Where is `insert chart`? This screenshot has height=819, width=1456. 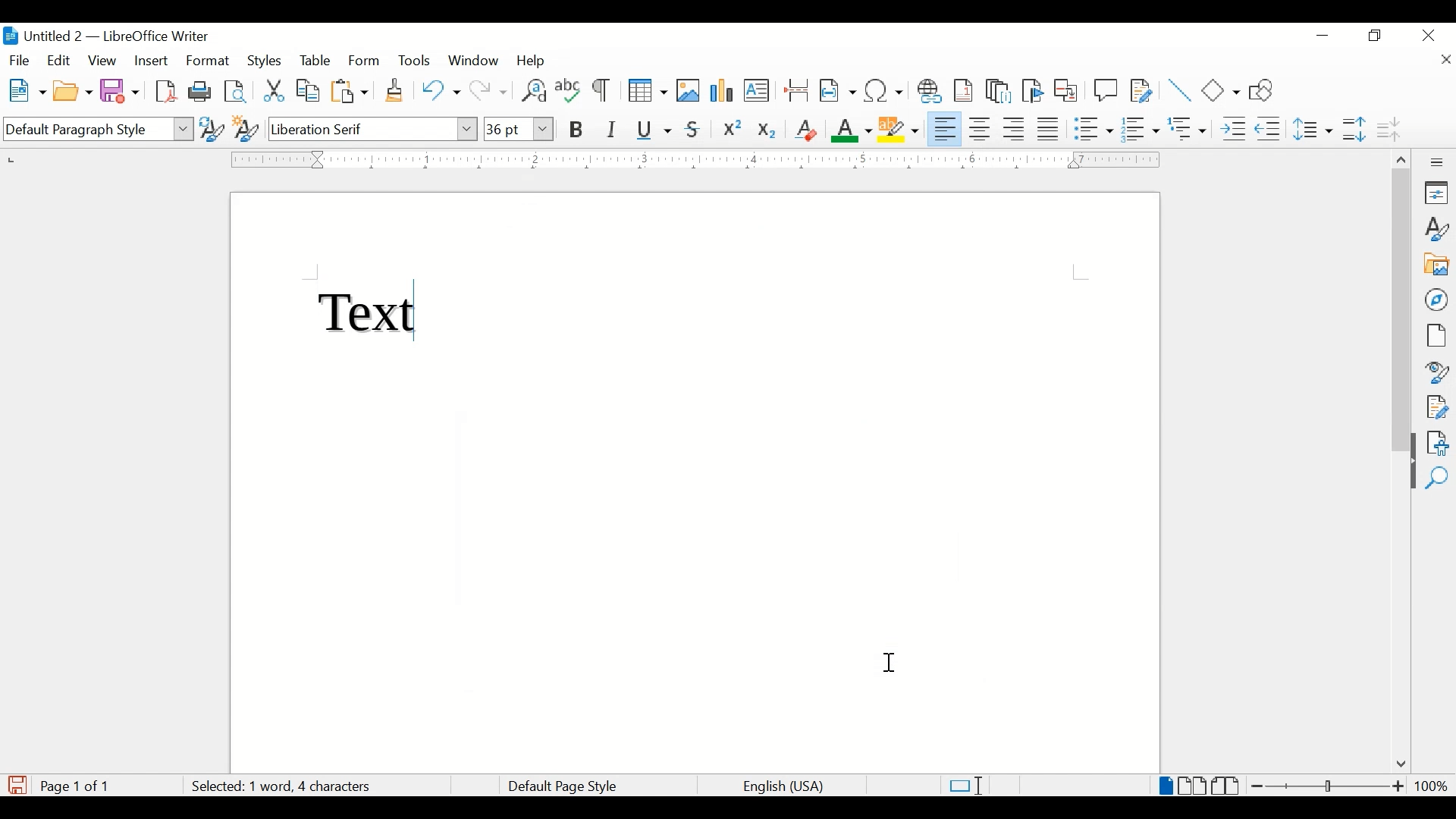 insert chart is located at coordinates (723, 92).